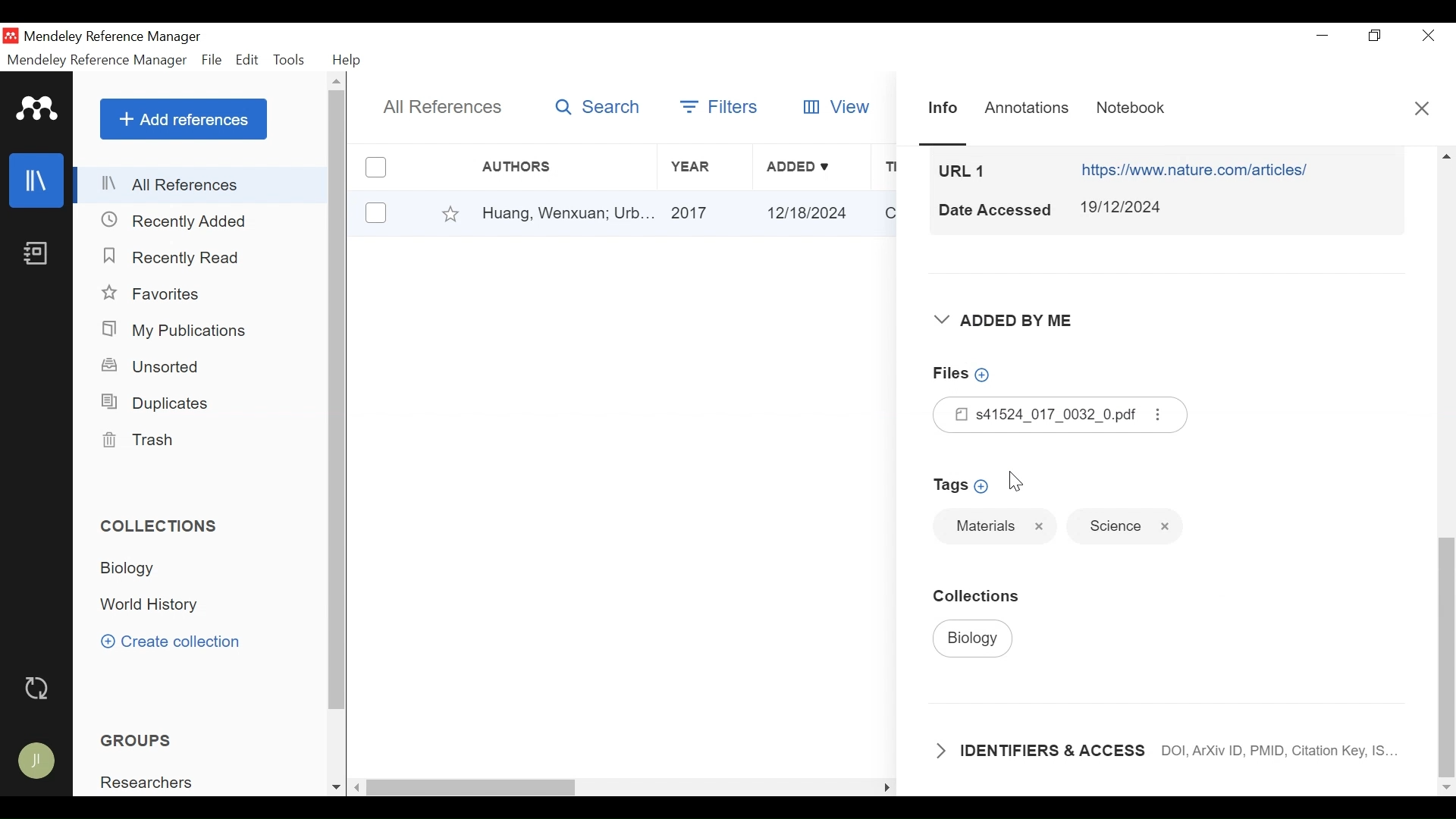 Image resolution: width=1456 pixels, height=819 pixels. What do you see at coordinates (375, 212) in the screenshot?
I see `(un)select` at bounding box center [375, 212].